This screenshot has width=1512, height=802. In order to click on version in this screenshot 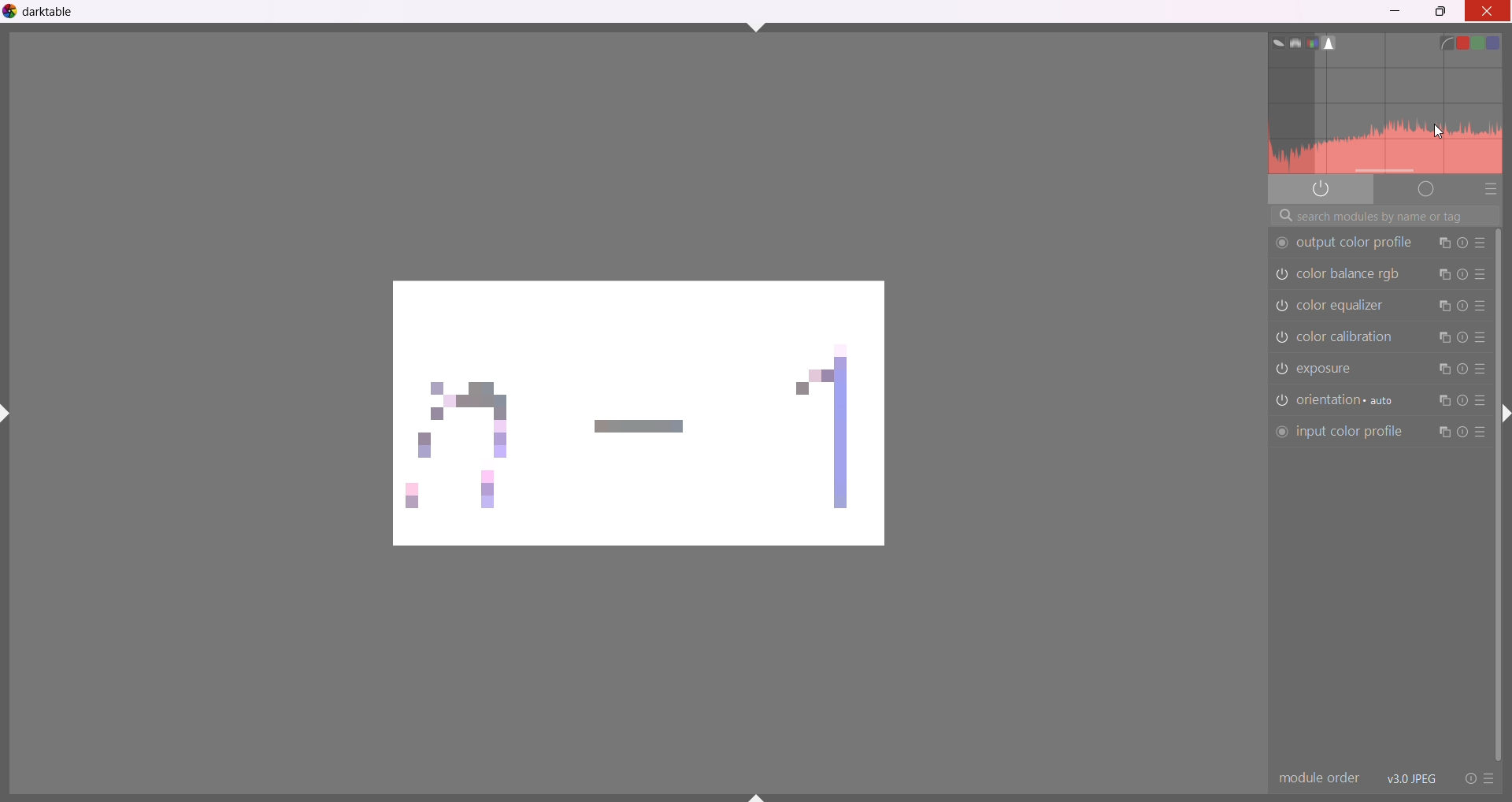, I will do `click(1412, 778)`.